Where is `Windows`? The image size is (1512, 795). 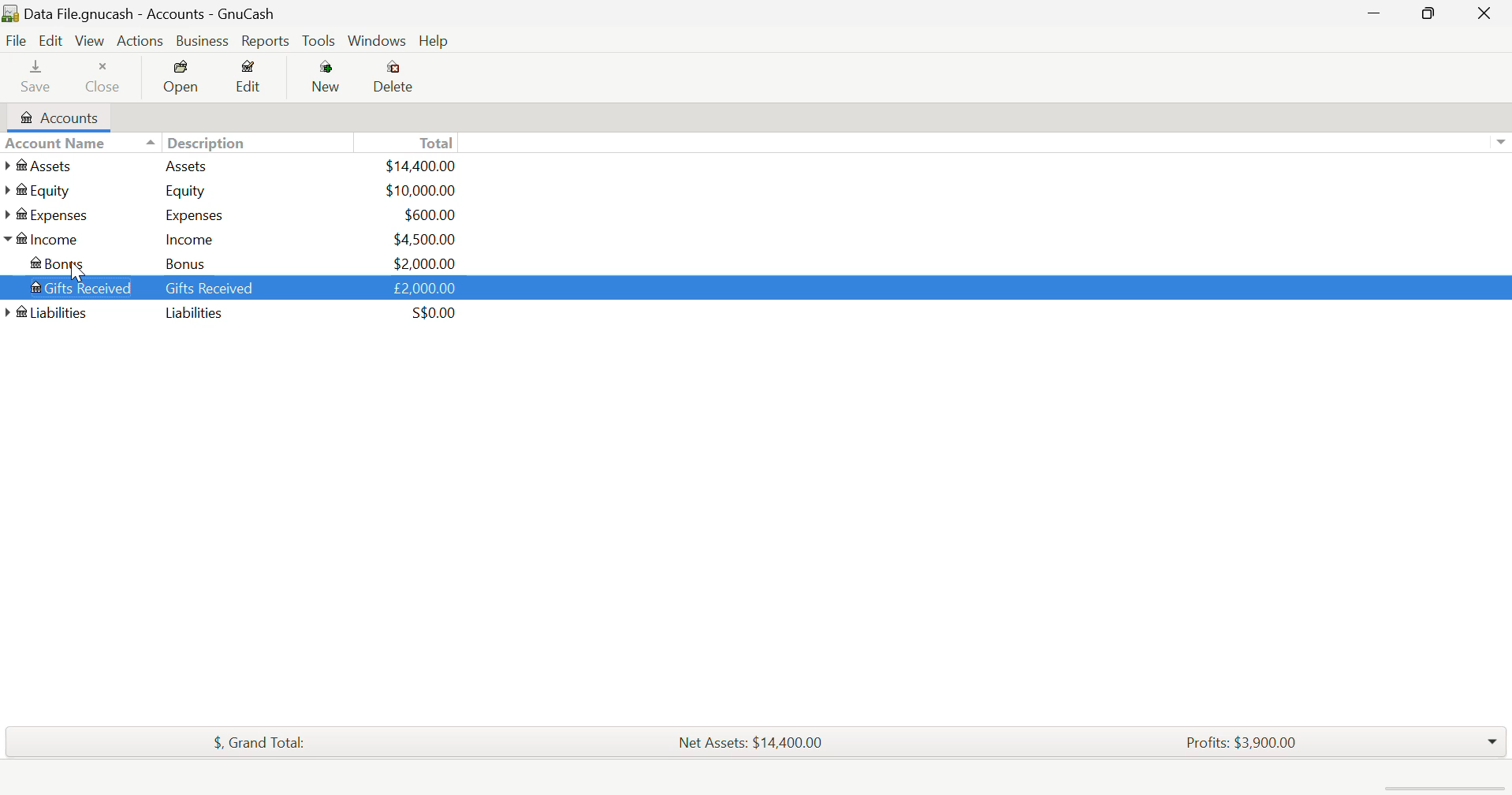
Windows is located at coordinates (377, 41).